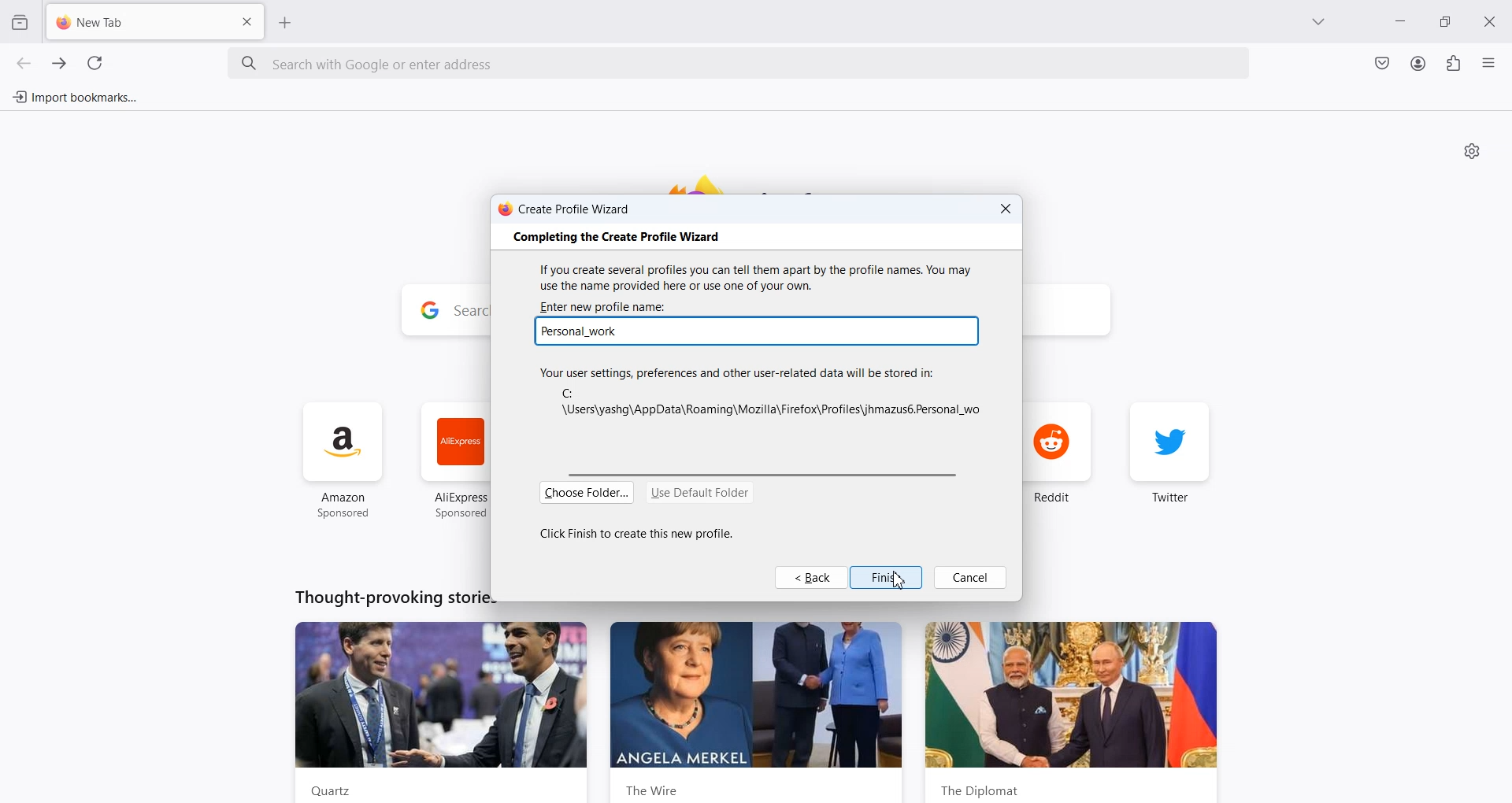 The width and height of the screenshot is (1512, 803). I want to click on New Tab, so click(132, 23).